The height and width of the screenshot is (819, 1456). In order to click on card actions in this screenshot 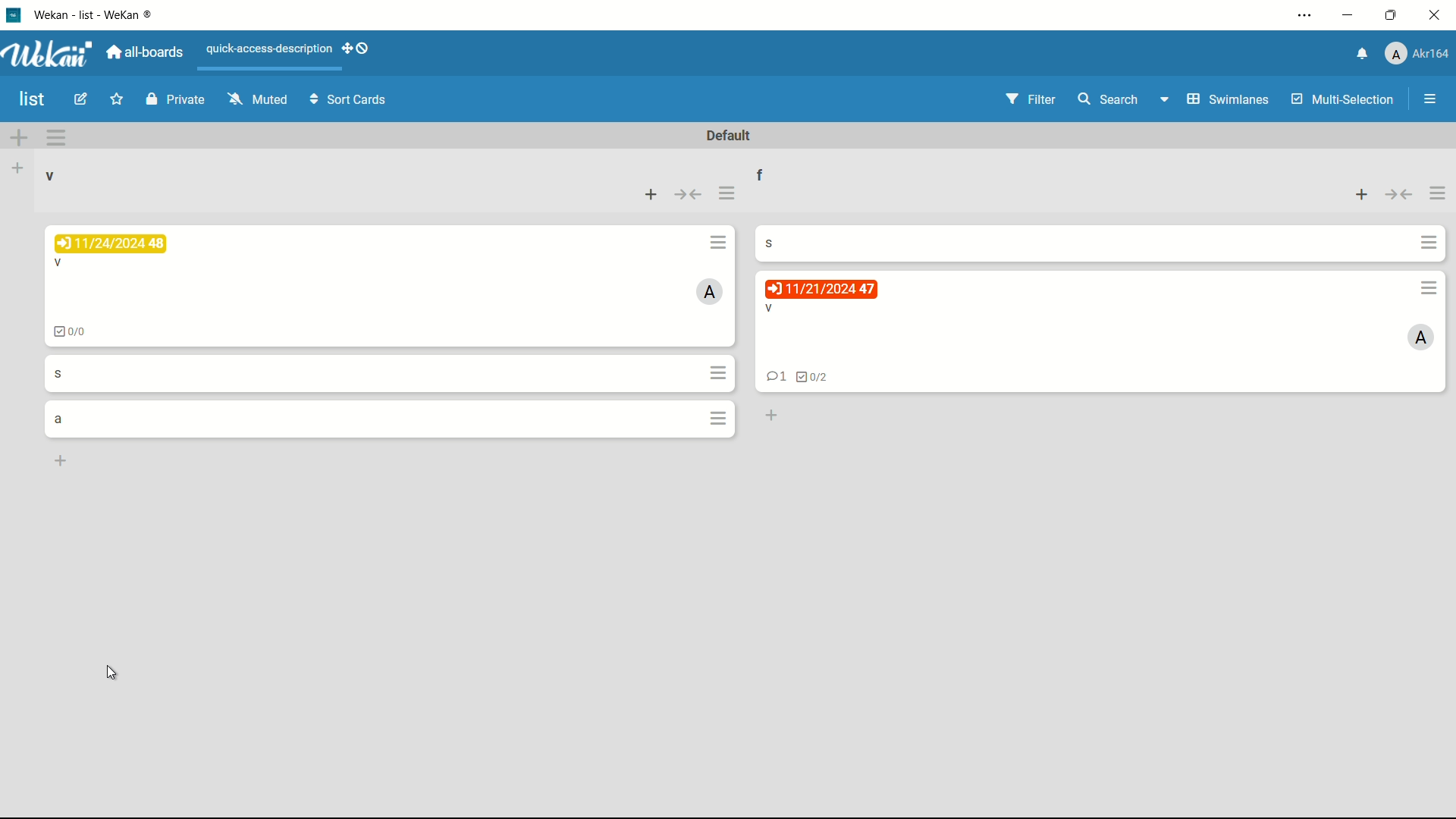, I will do `click(1429, 243)`.